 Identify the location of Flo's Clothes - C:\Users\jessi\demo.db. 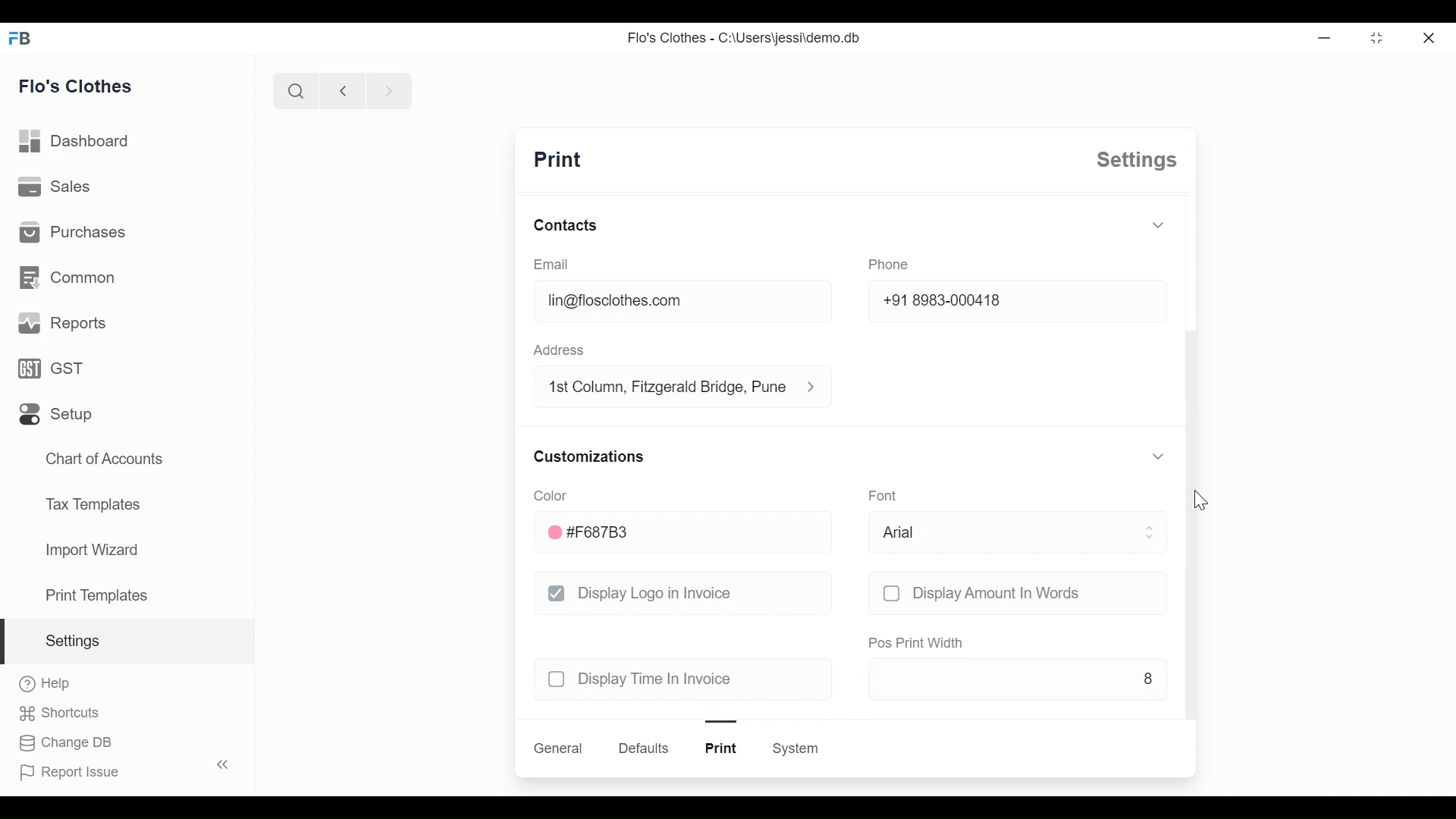
(745, 37).